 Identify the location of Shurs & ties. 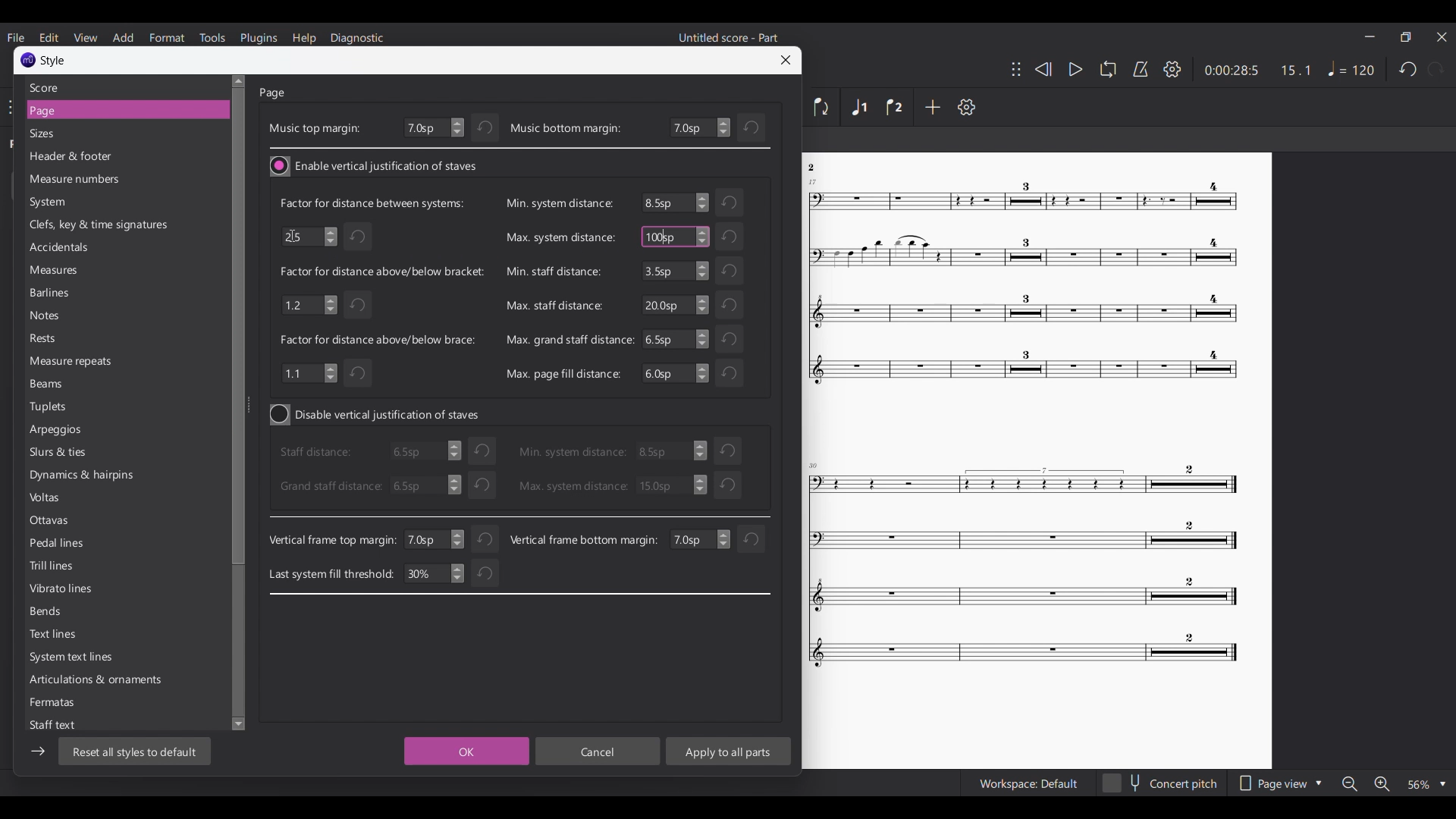
(68, 453).